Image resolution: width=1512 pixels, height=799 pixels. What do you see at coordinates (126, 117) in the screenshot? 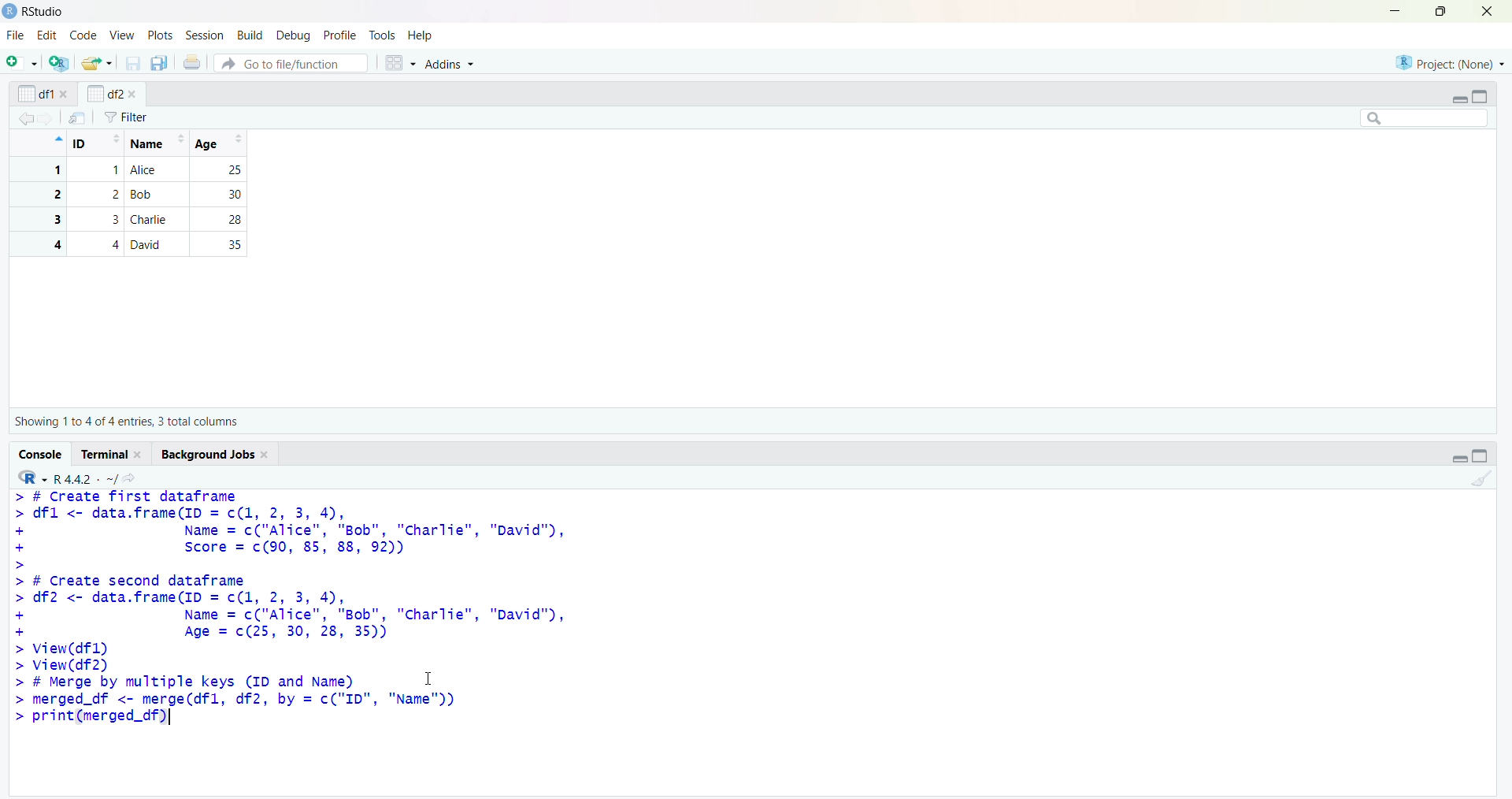
I see `Filter` at bounding box center [126, 117].